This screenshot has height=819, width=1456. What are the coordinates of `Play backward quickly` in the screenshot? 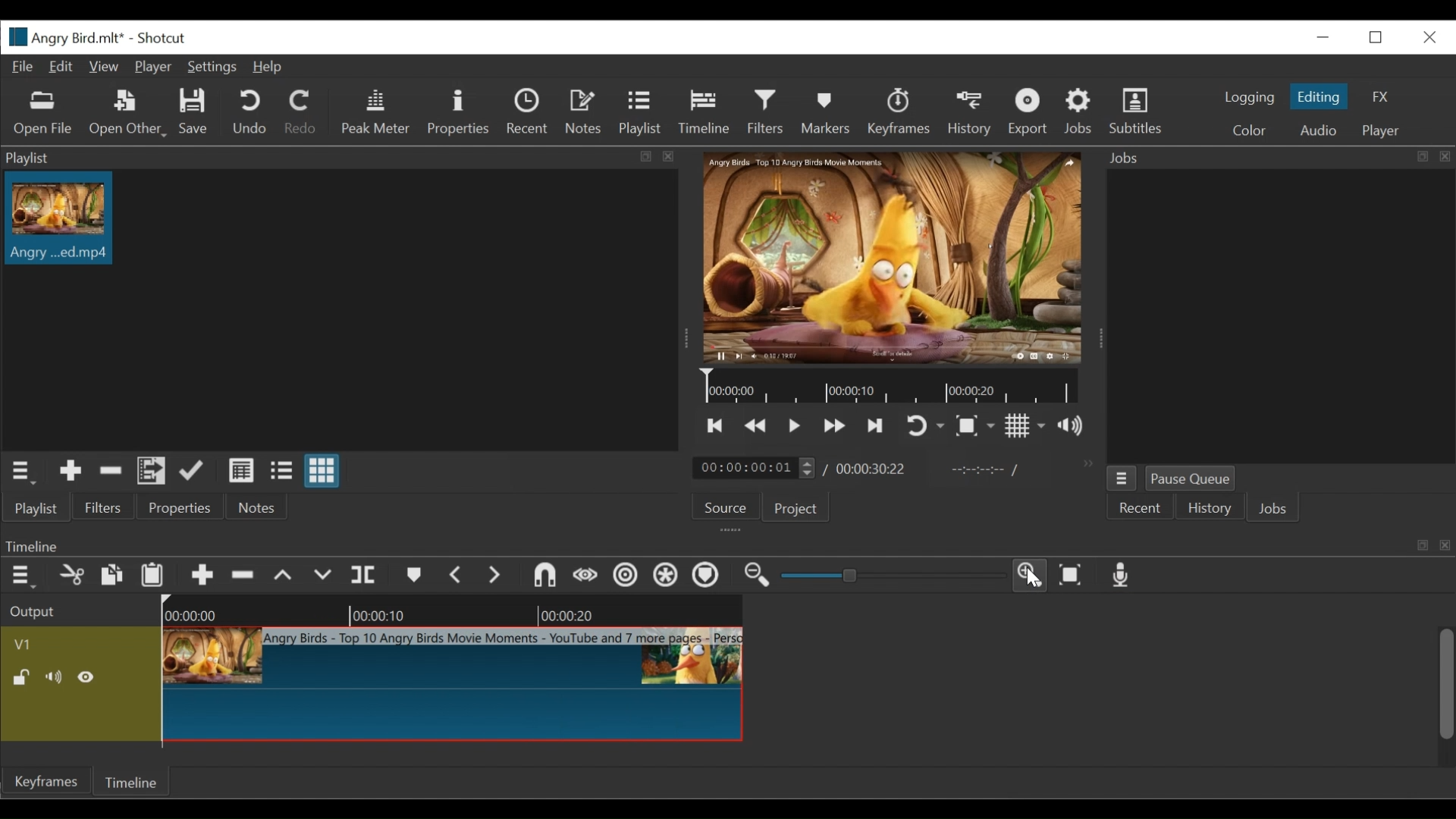 It's located at (834, 426).